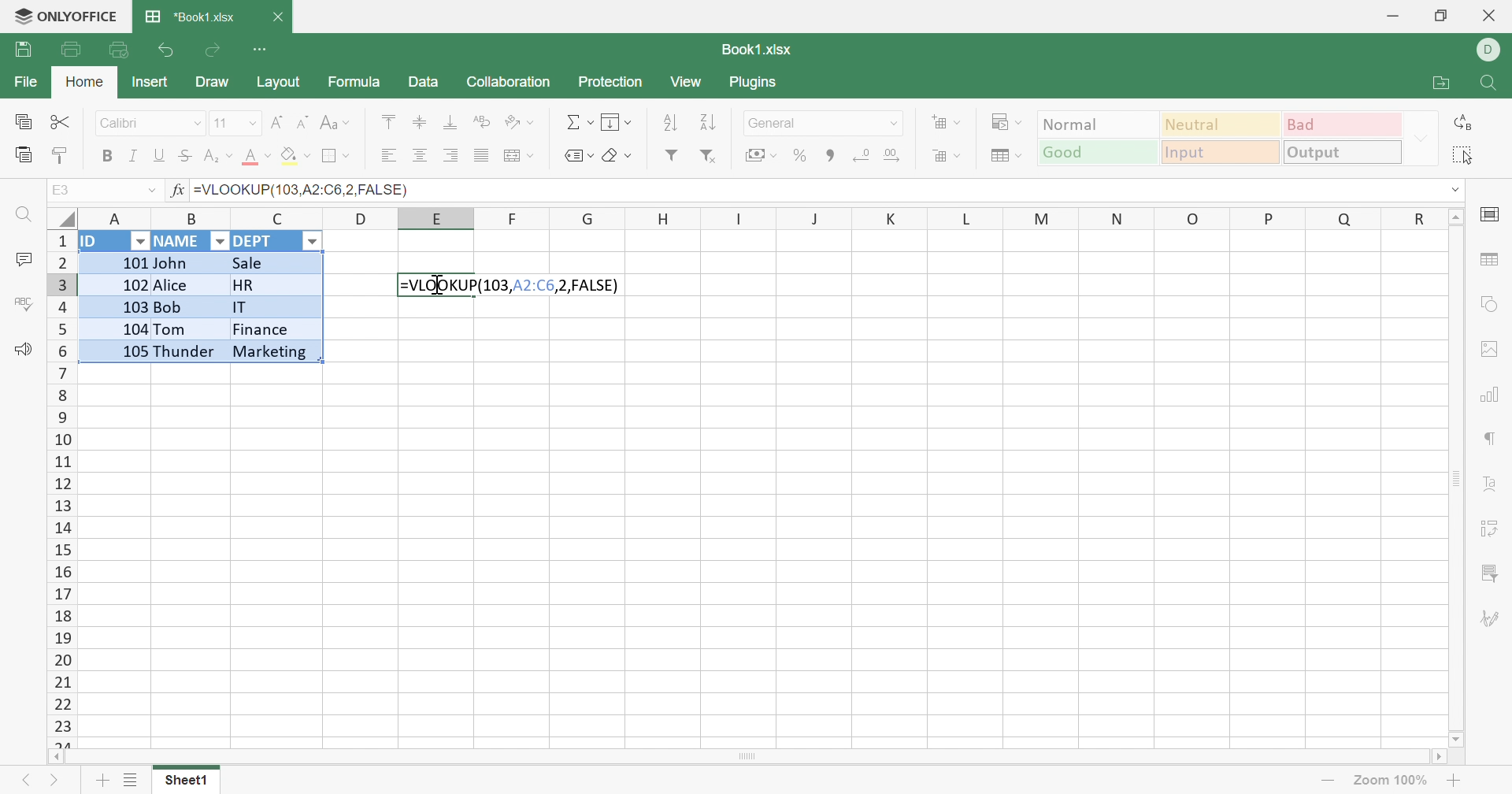 The width and height of the screenshot is (1512, 794). I want to click on Find, so click(22, 217).